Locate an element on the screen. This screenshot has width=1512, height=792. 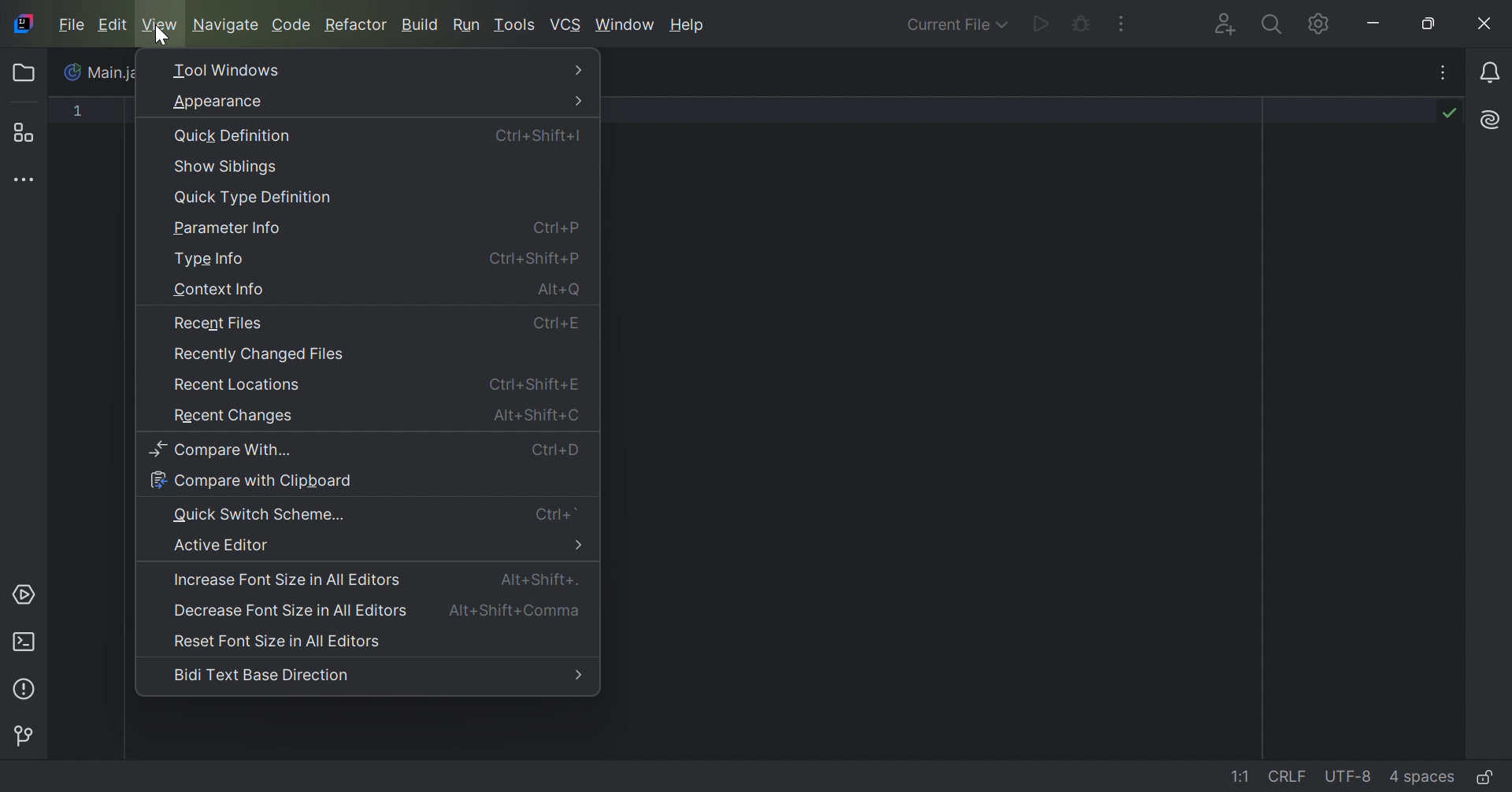
More is located at coordinates (579, 676).